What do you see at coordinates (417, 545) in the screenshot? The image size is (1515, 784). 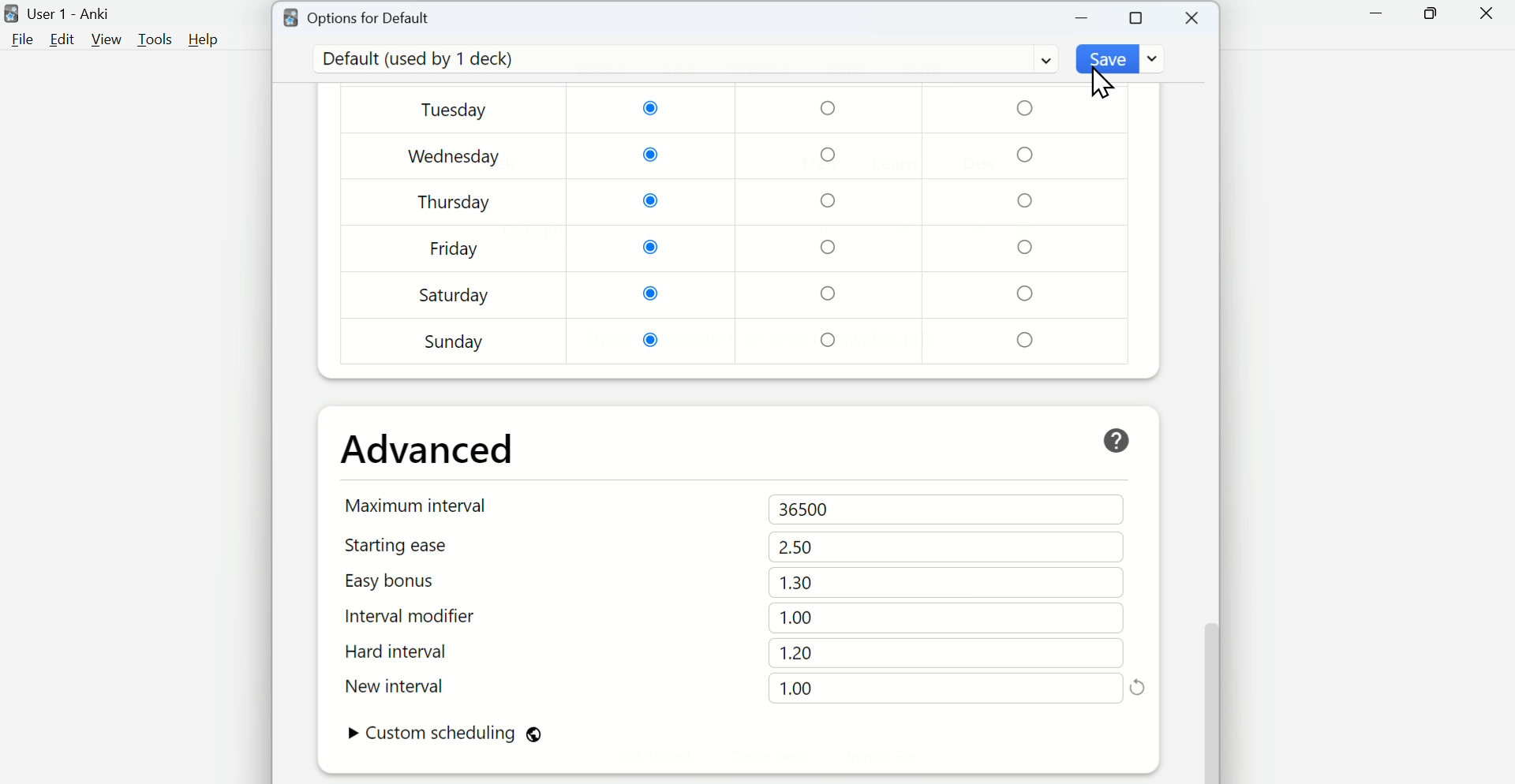 I see `Starting ease` at bounding box center [417, 545].